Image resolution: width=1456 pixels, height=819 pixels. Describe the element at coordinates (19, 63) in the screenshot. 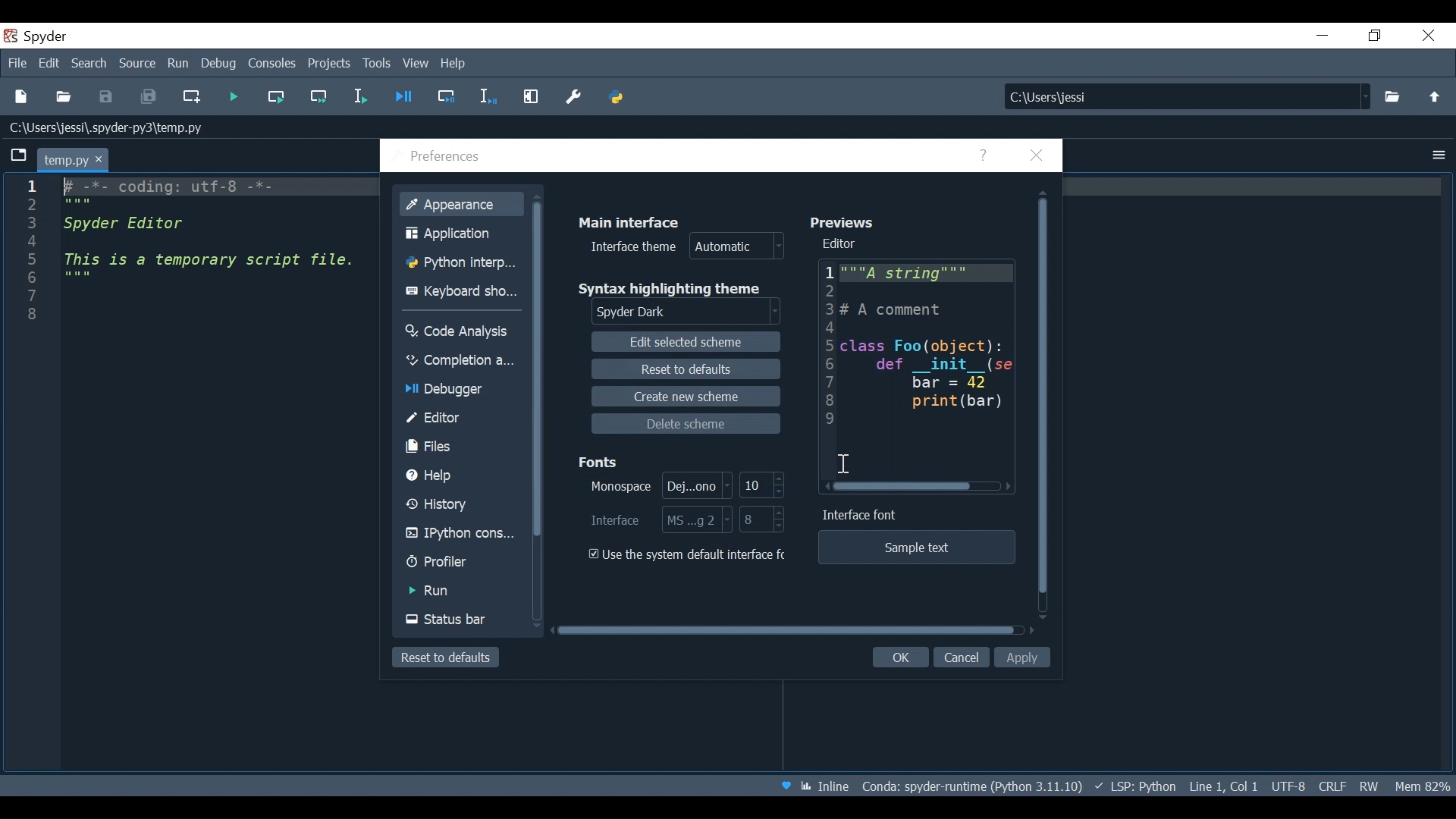

I see `File` at that location.